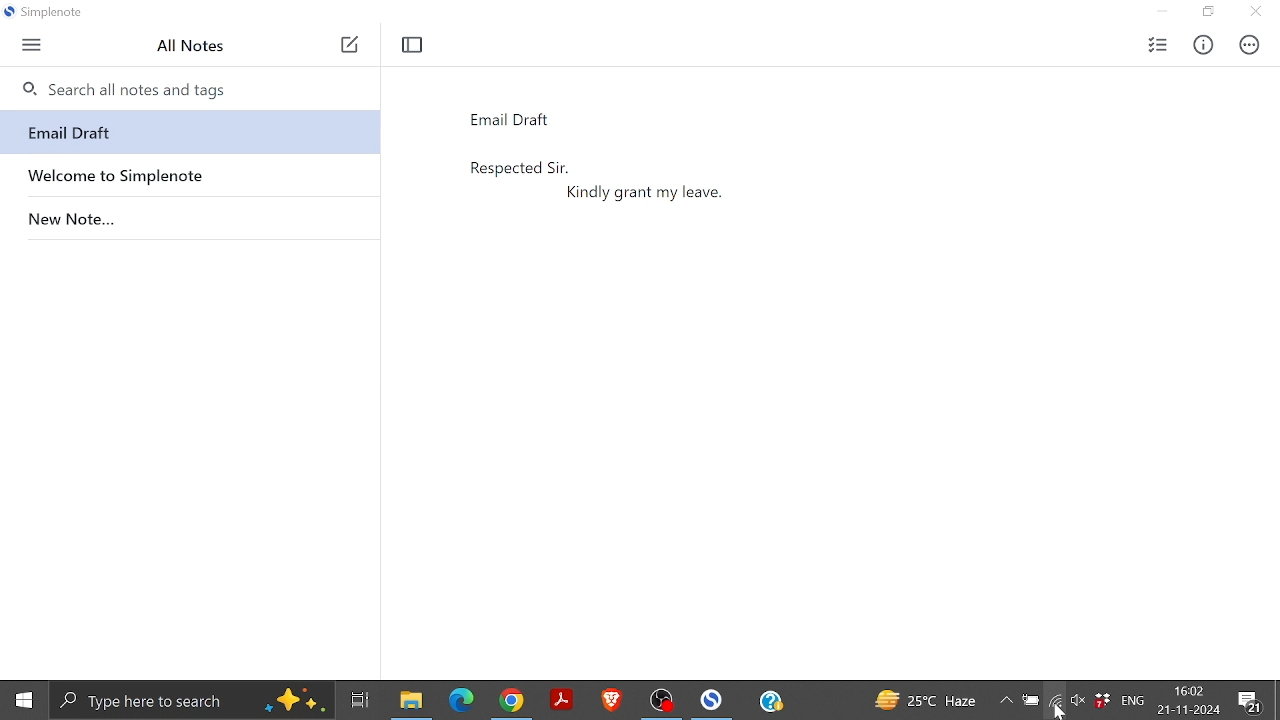  What do you see at coordinates (359, 698) in the screenshot?
I see `Task view` at bounding box center [359, 698].